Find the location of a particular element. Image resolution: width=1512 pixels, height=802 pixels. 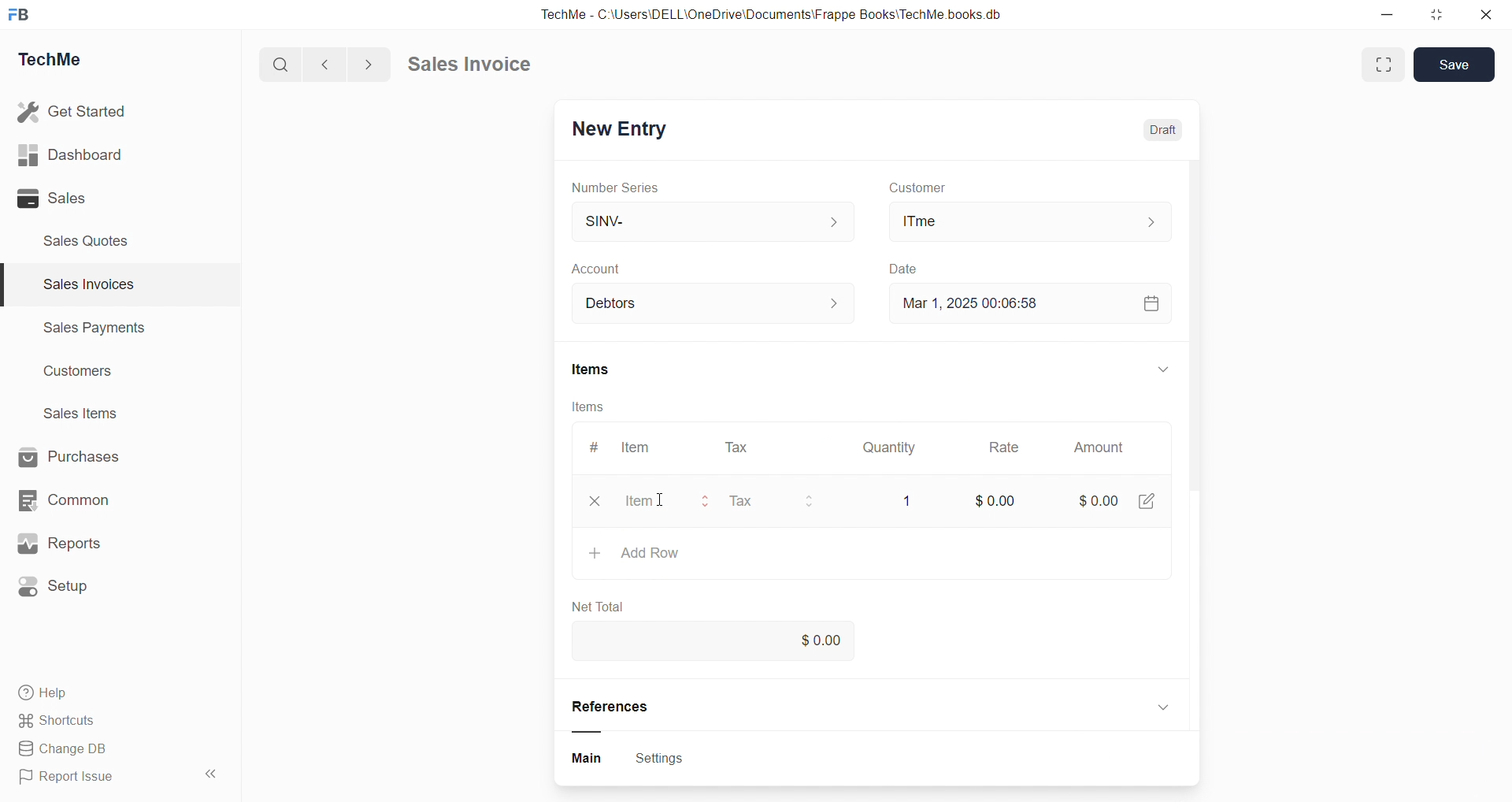

# Item is located at coordinates (630, 447).